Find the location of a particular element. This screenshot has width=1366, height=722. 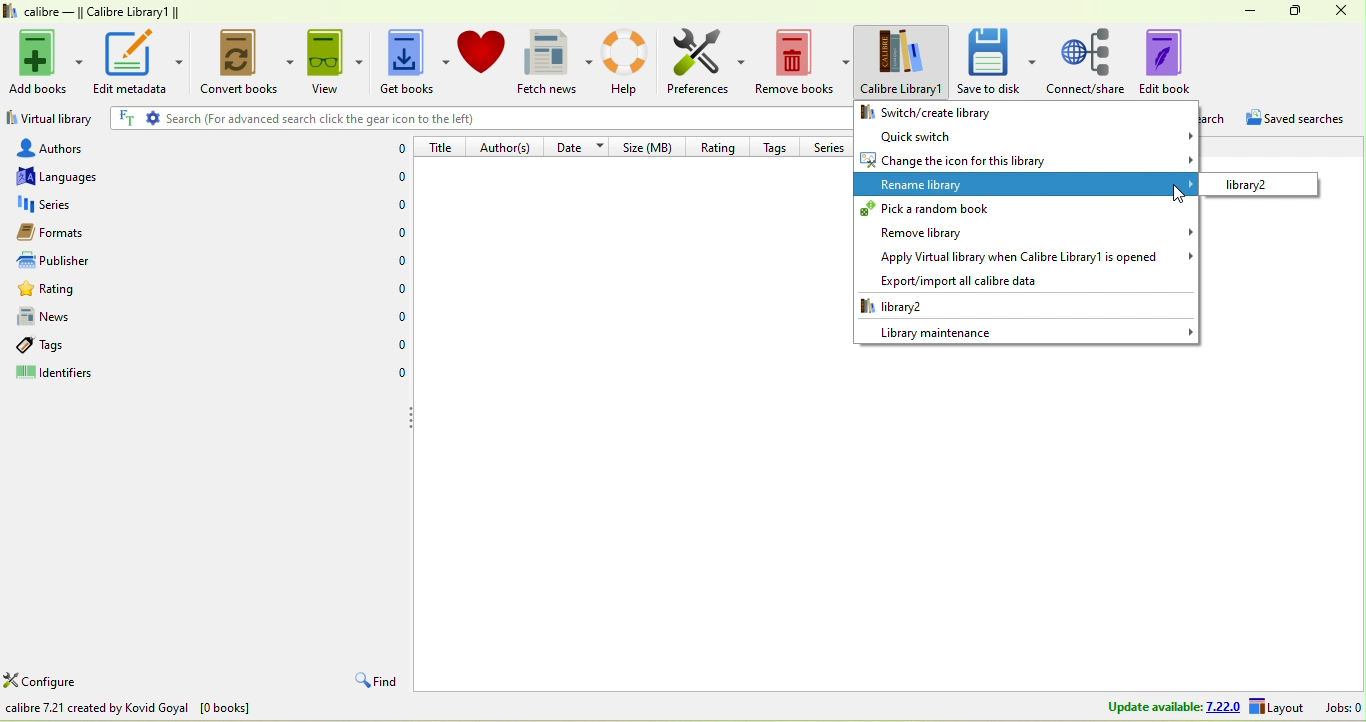

update available 7.22.0 logout is located at coordinates (1199, 708).